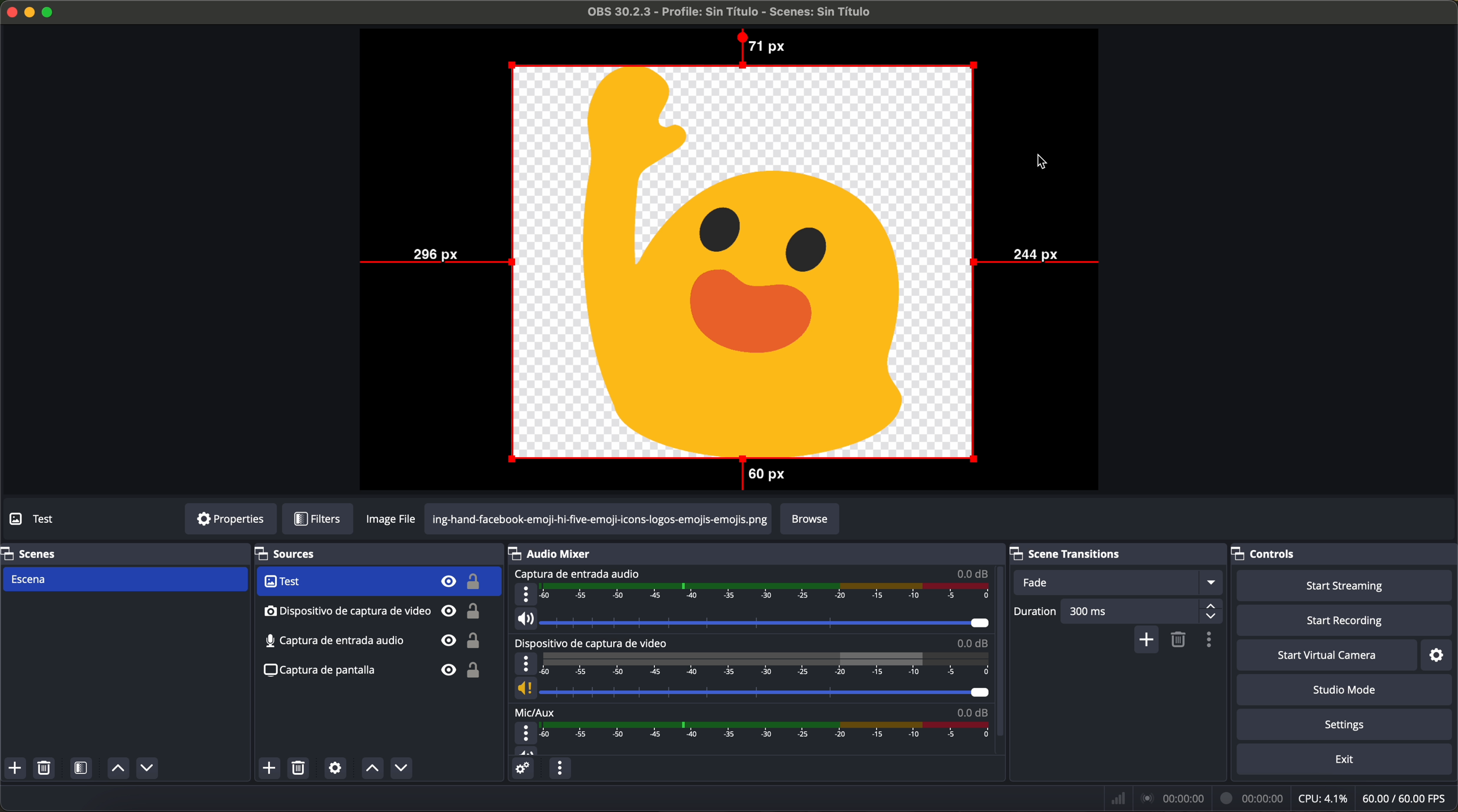  Describe the element at coordinates (371, 675) in the screenshot. I see `screenshot` at that location.